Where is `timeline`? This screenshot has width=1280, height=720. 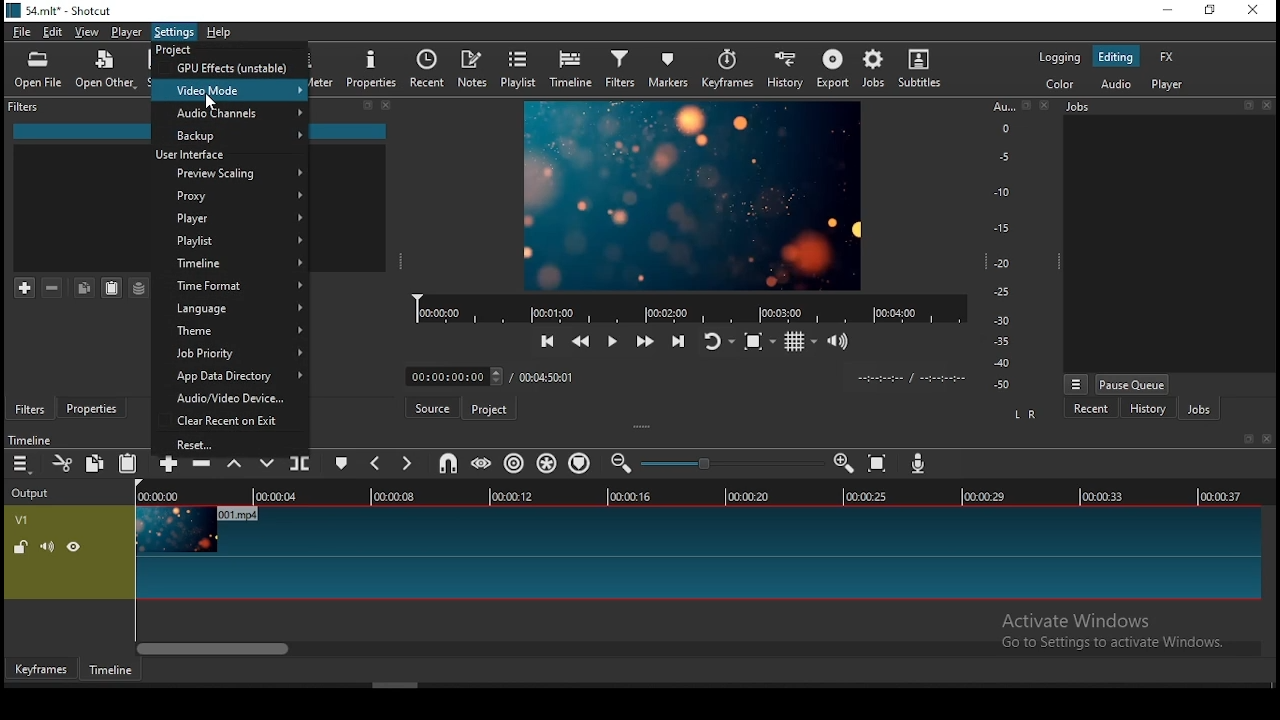
timeline is located at coordinates (29, 440).